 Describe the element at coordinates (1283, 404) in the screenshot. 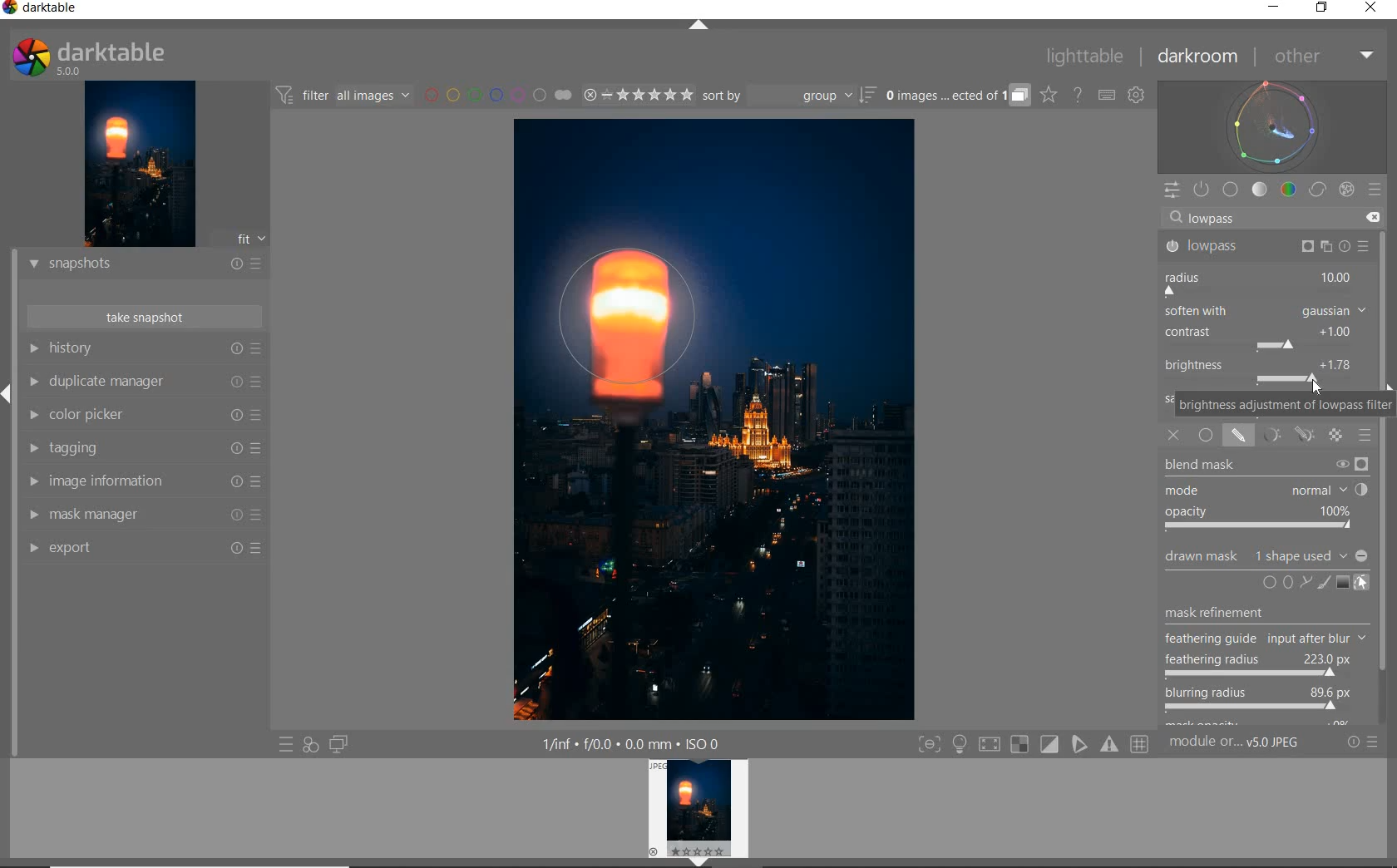

I see `BRIGHTNESS ADJUSTMENT OF LOWPASS FILTER` at that location.